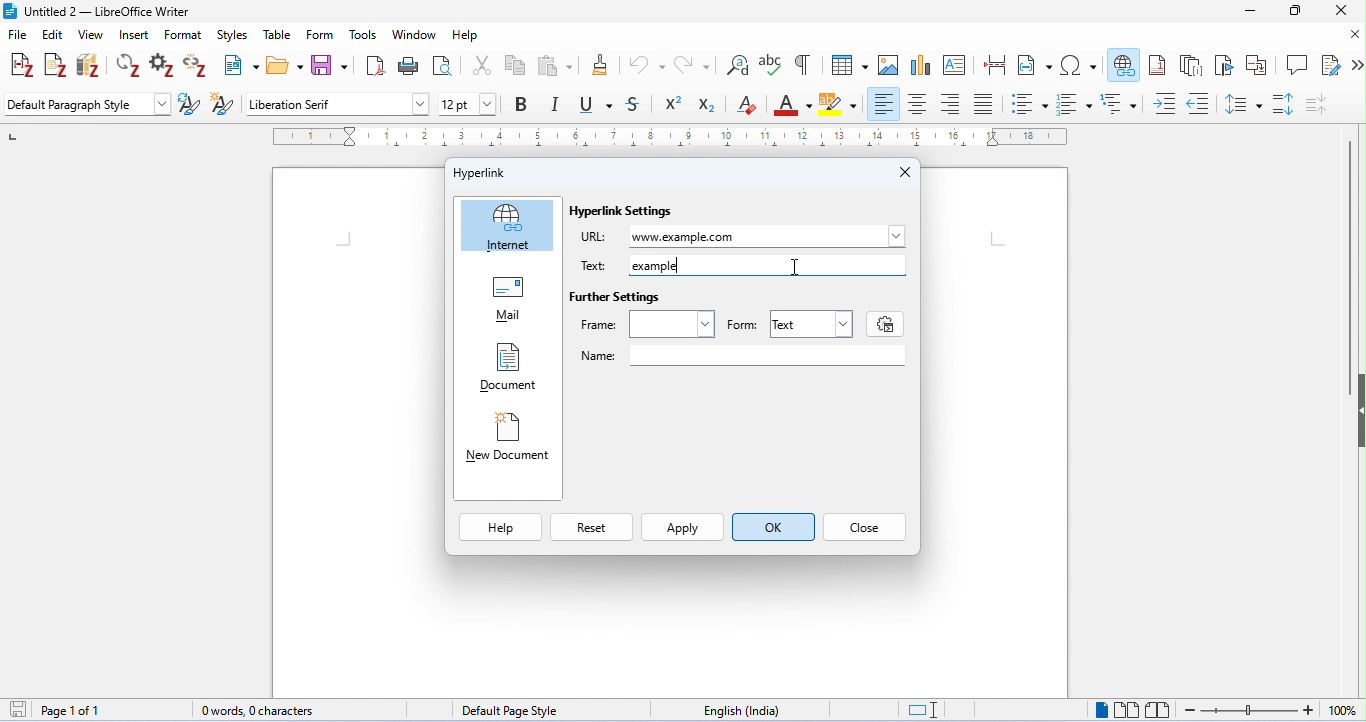 This screenshot has height=722, width=1366. What do you see at coordinates (919, 105) in the screenshot?
I see `align center` at bounding box center [919, 105].